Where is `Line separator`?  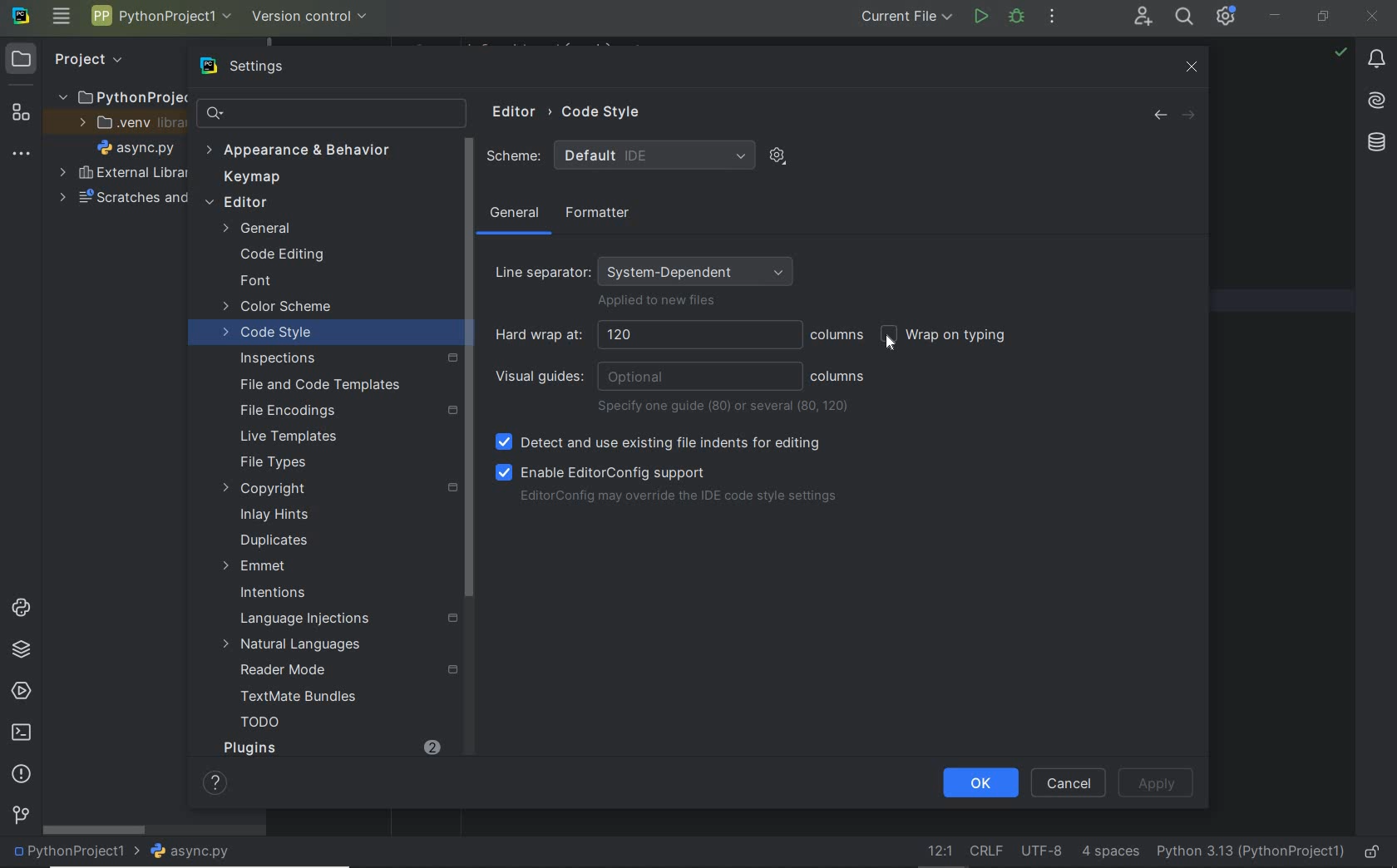 Line separator is located at coordinates (648, 267).